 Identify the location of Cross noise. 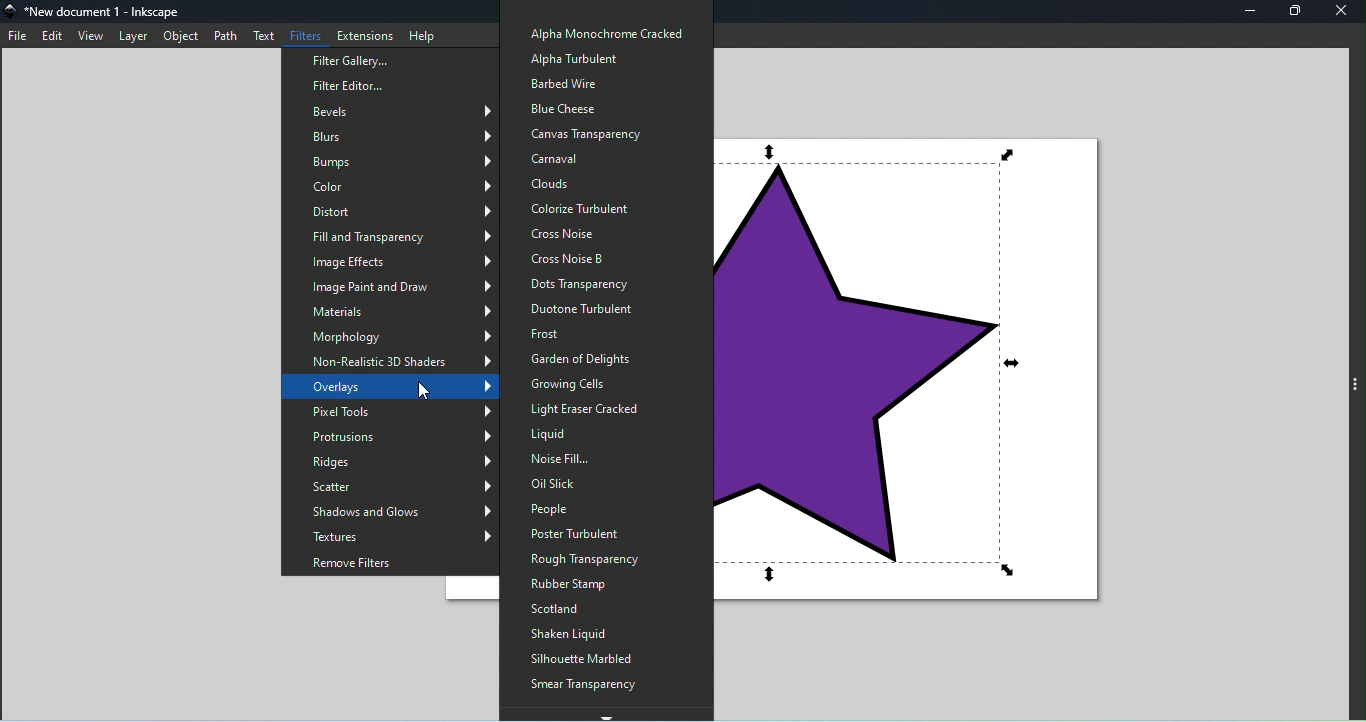
(596, 233).